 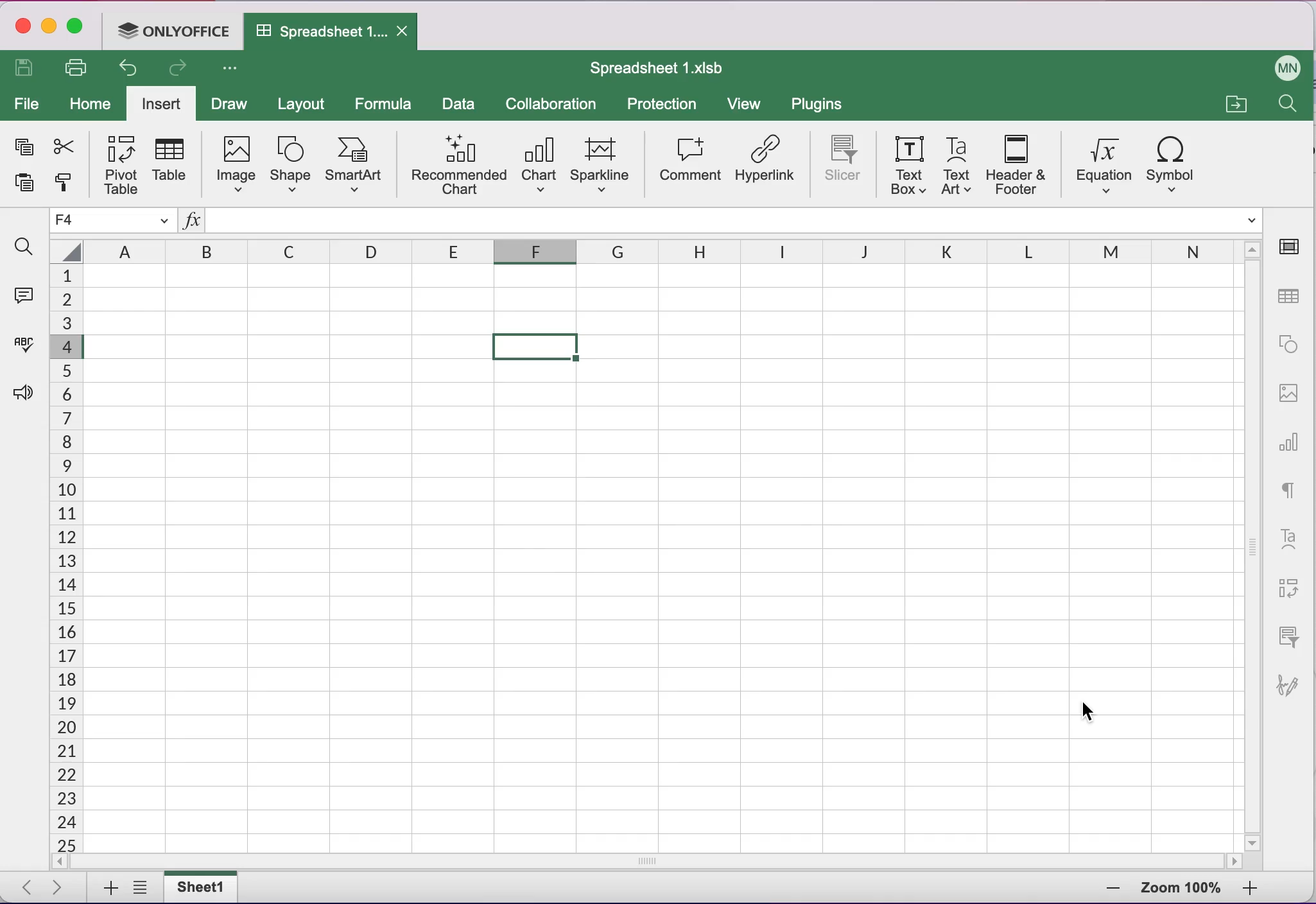 What do you see at coordinates (1286, 67) in the screenshot?
I see `user` at bounding box center [1286, 67].